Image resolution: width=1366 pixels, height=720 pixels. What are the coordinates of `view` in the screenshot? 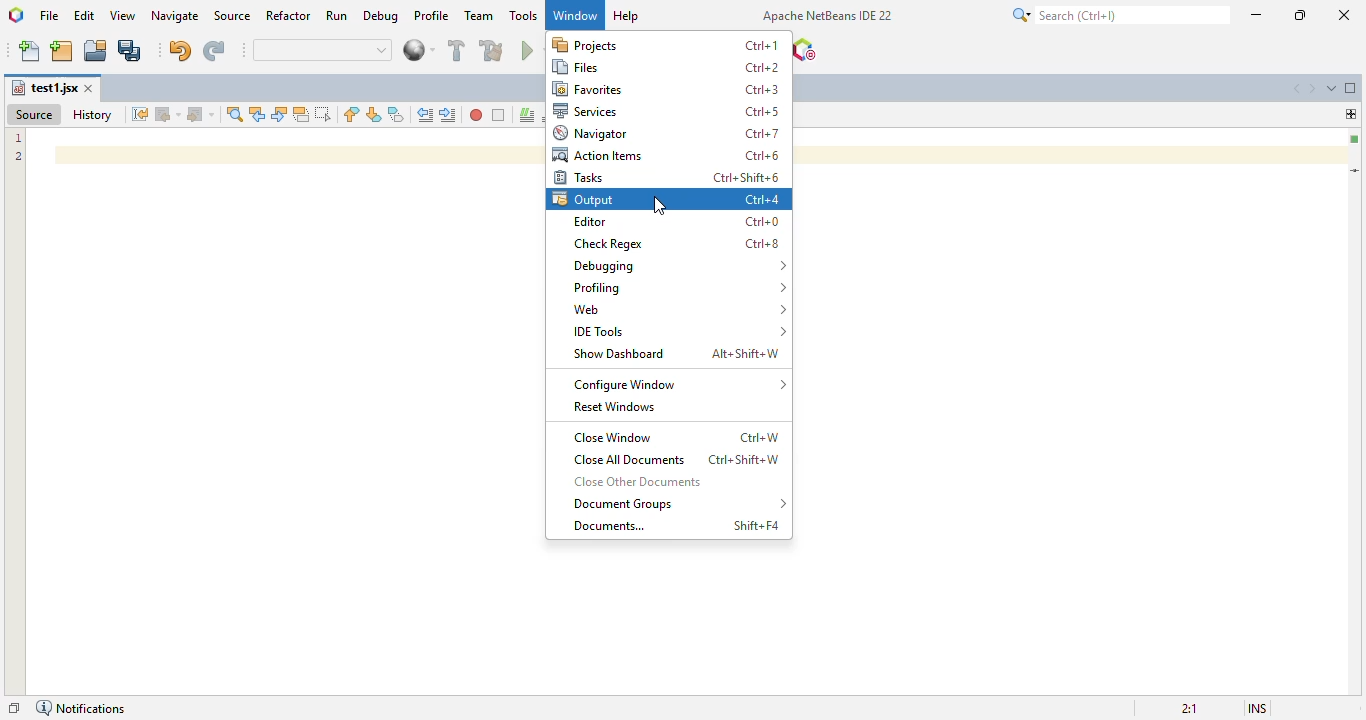 It's located at (124, 16).